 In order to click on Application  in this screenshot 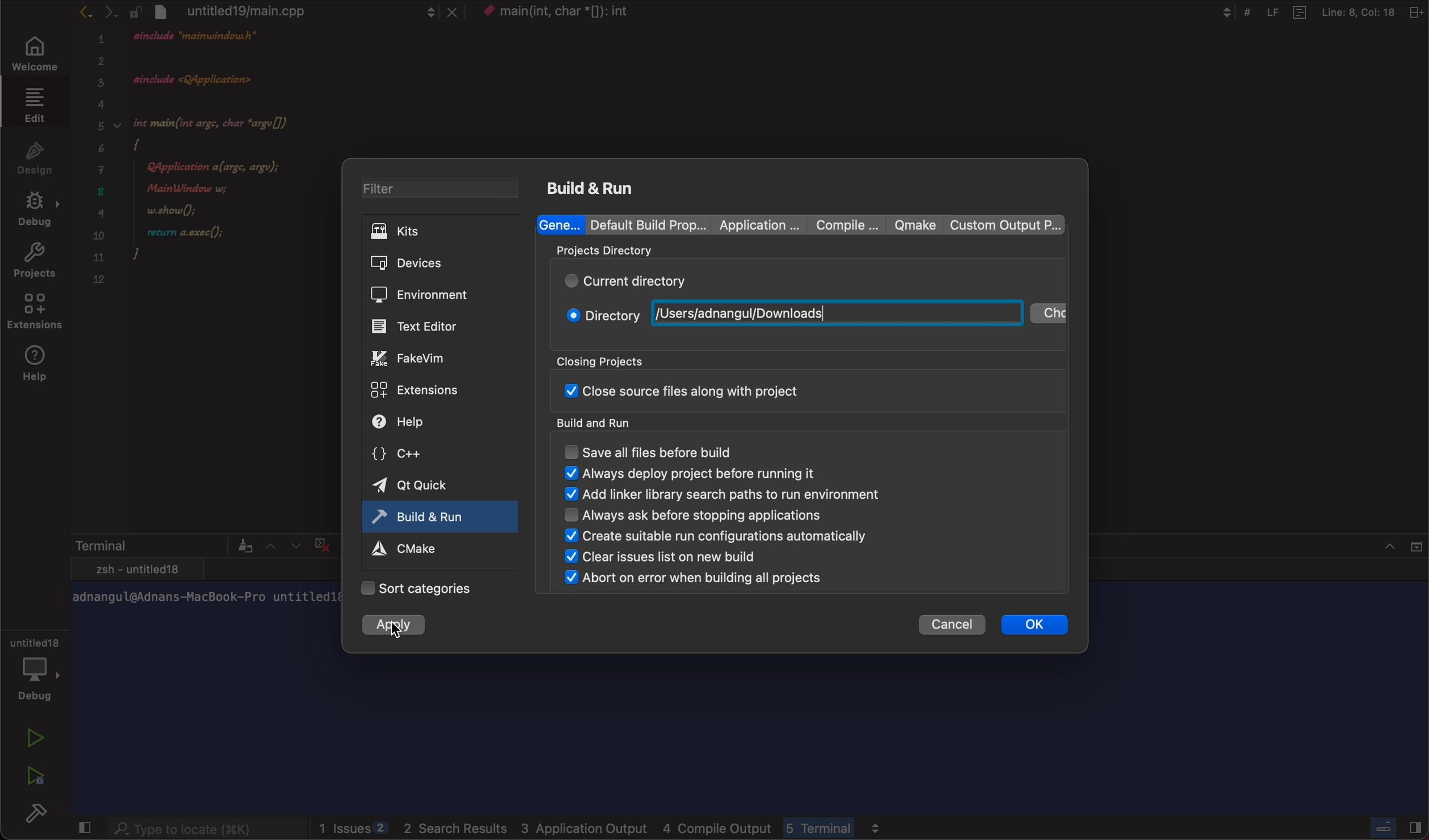, I will do `click(758, 225)`.